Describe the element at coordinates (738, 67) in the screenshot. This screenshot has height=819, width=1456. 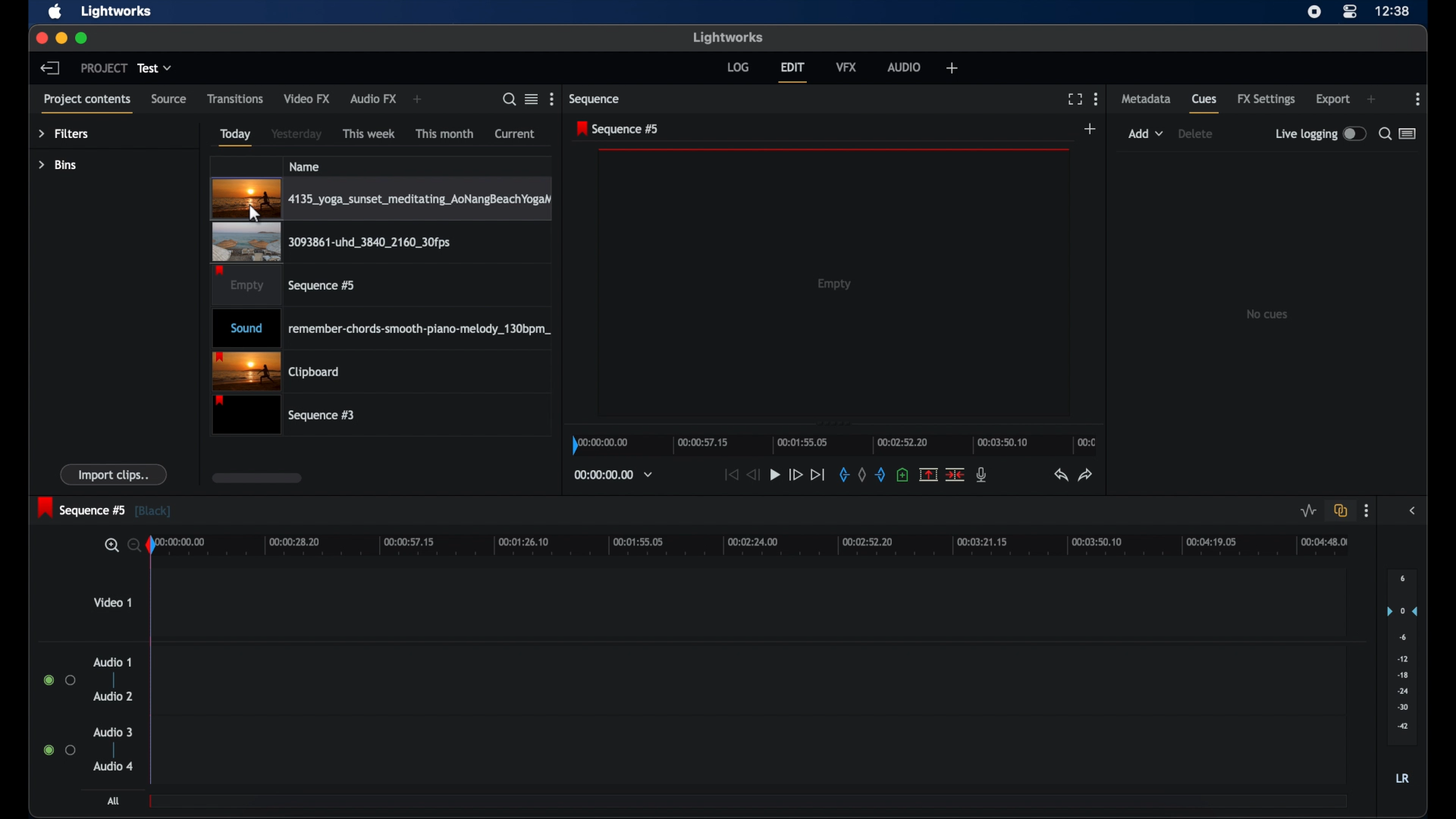
I see `log` at that location.